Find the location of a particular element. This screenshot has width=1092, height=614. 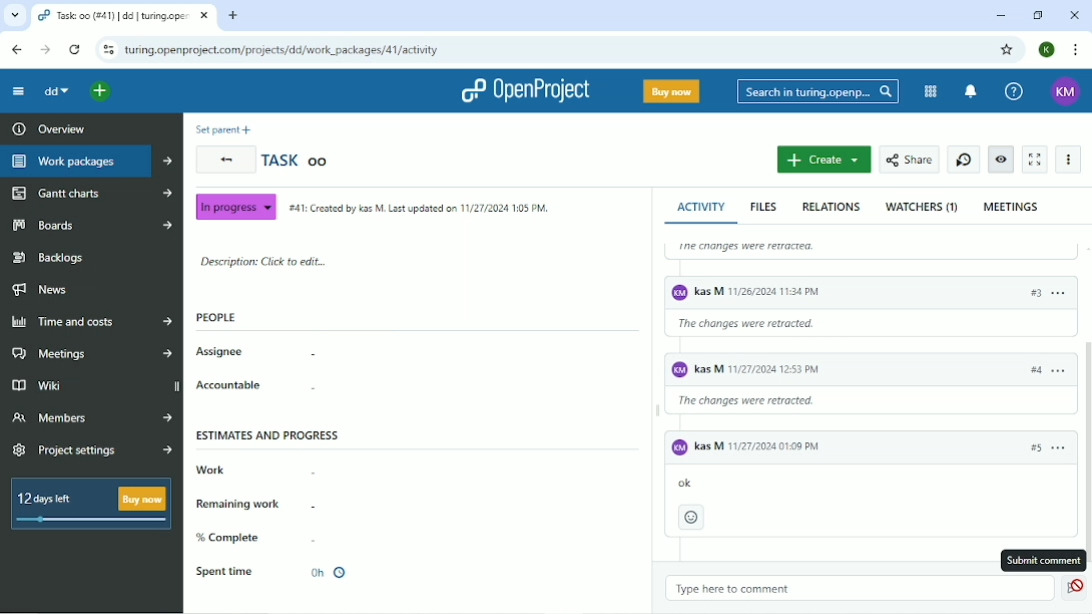

Meetings is located at coordinates (94, 353).